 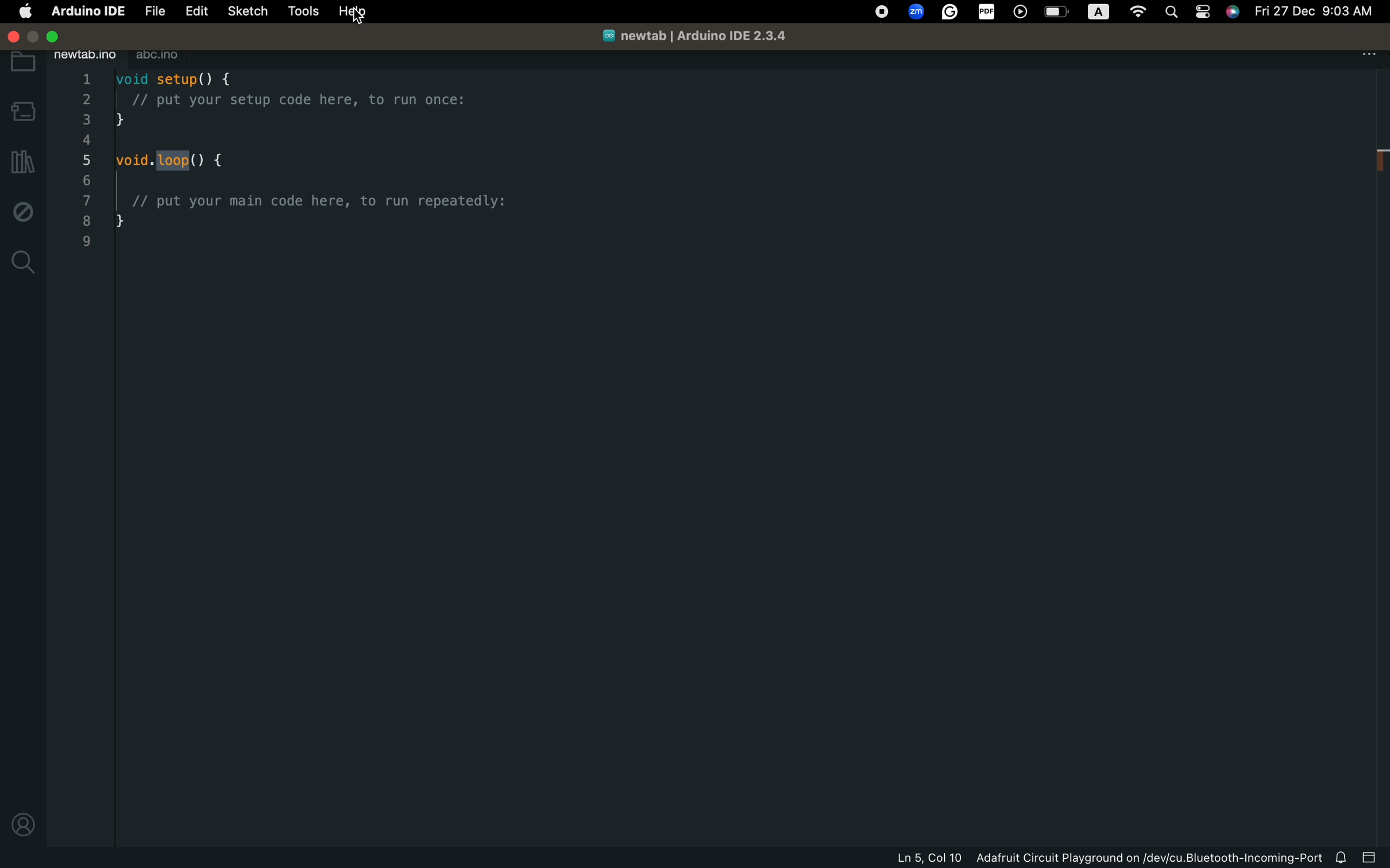 I want to click on help, so click(x=357, y=14).